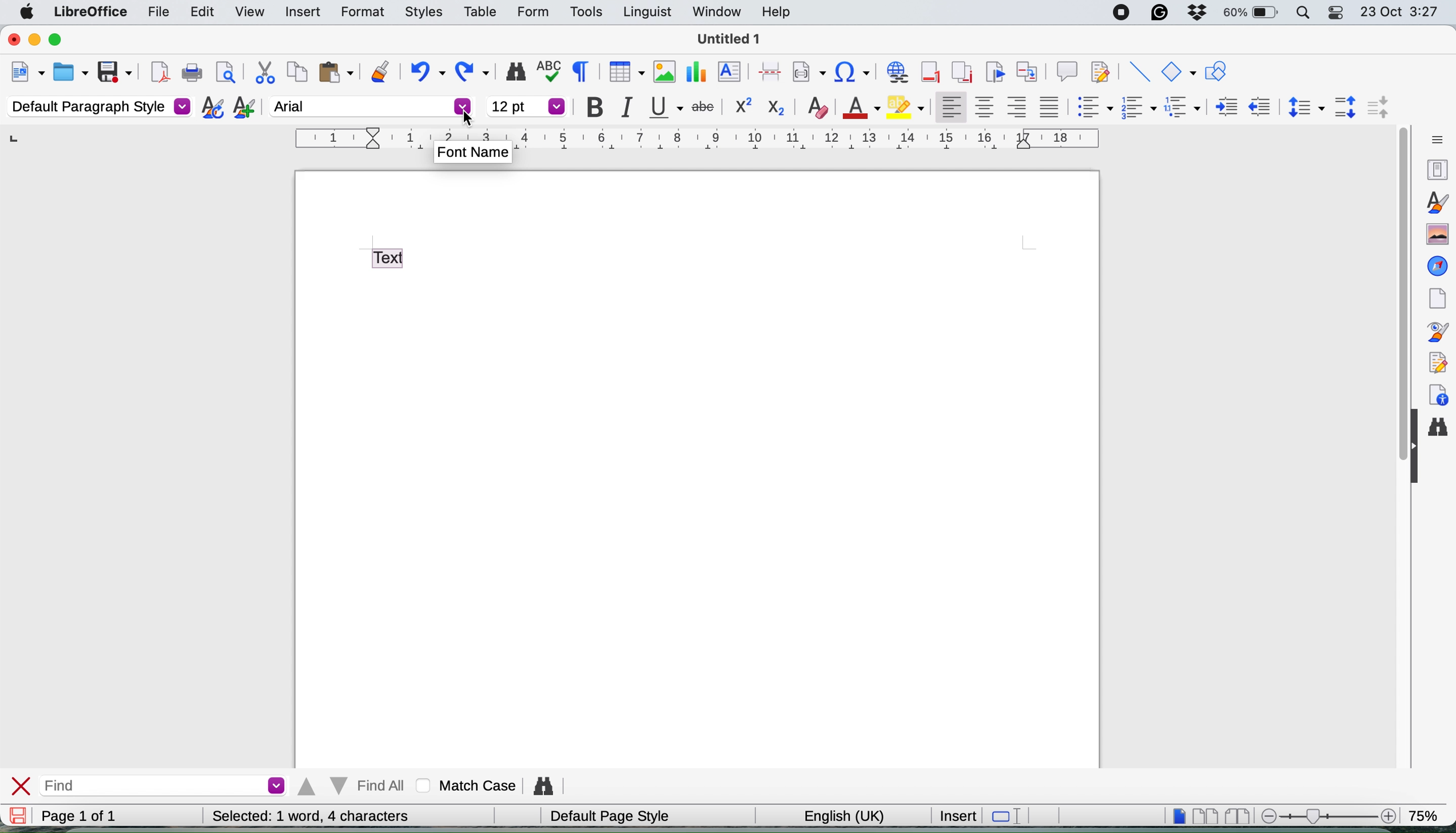 Image resolution: width=1456 pixels, height=833 pixels. What do you see at coordinates (1438, 361) in the screenshot?
I see `manage changes` at bounding box center [1438, 361].